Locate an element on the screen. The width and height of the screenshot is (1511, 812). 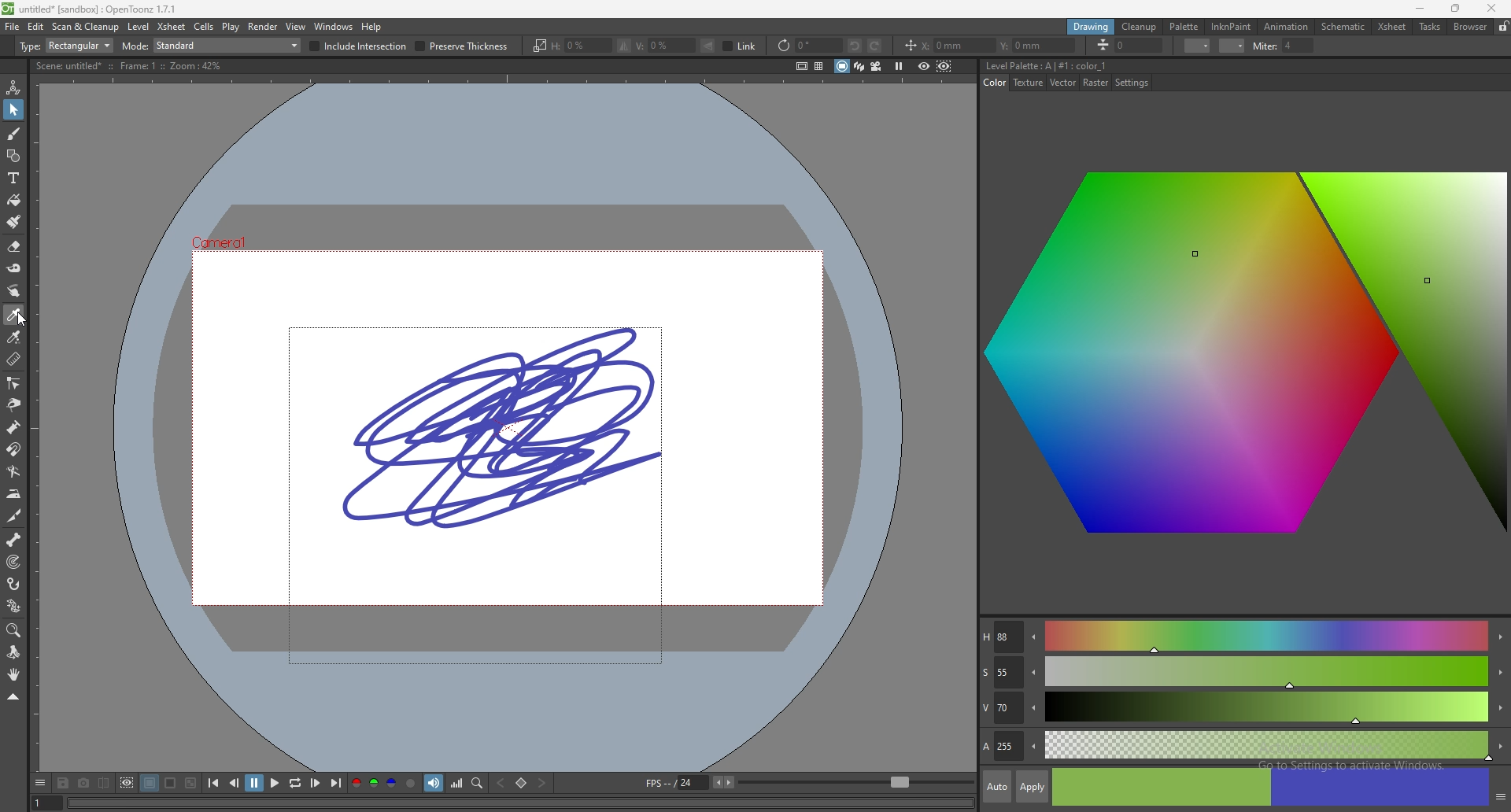
title is located at coordinates (1049, 65).